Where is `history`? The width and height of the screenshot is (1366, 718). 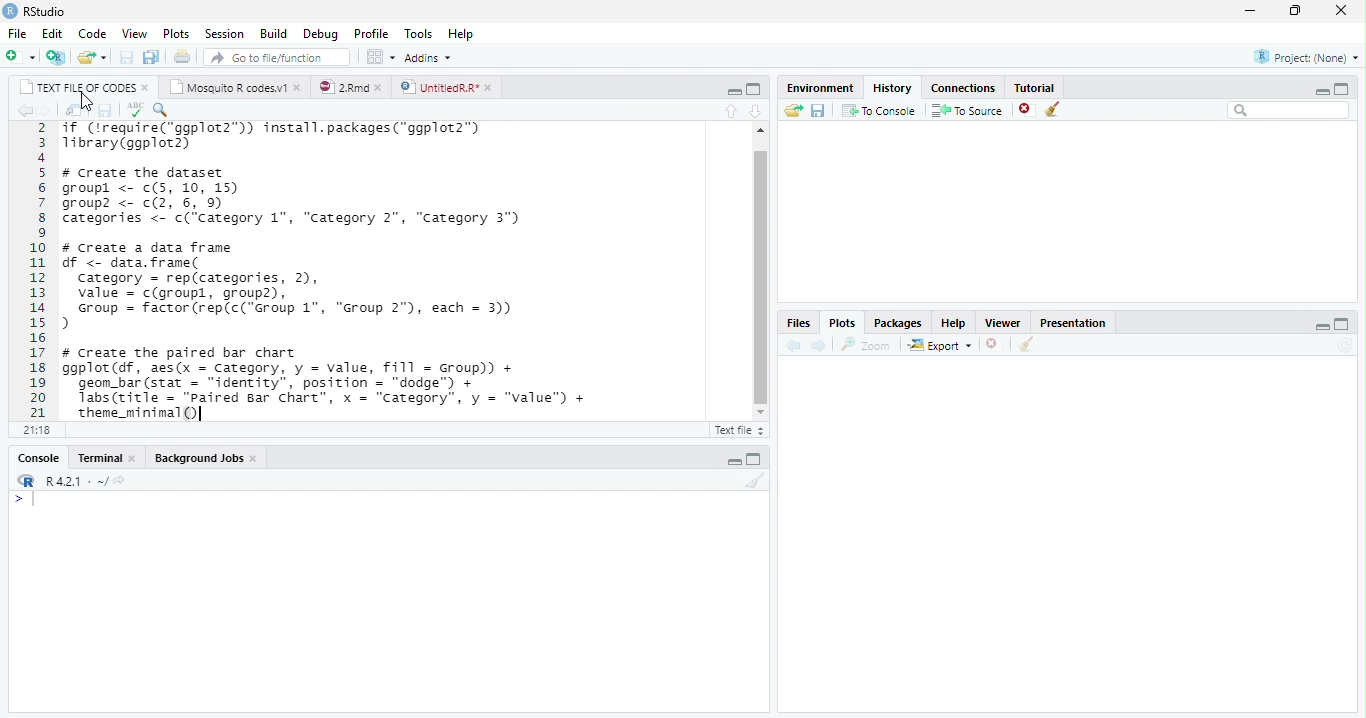 history is located at coordinates (891, 87).